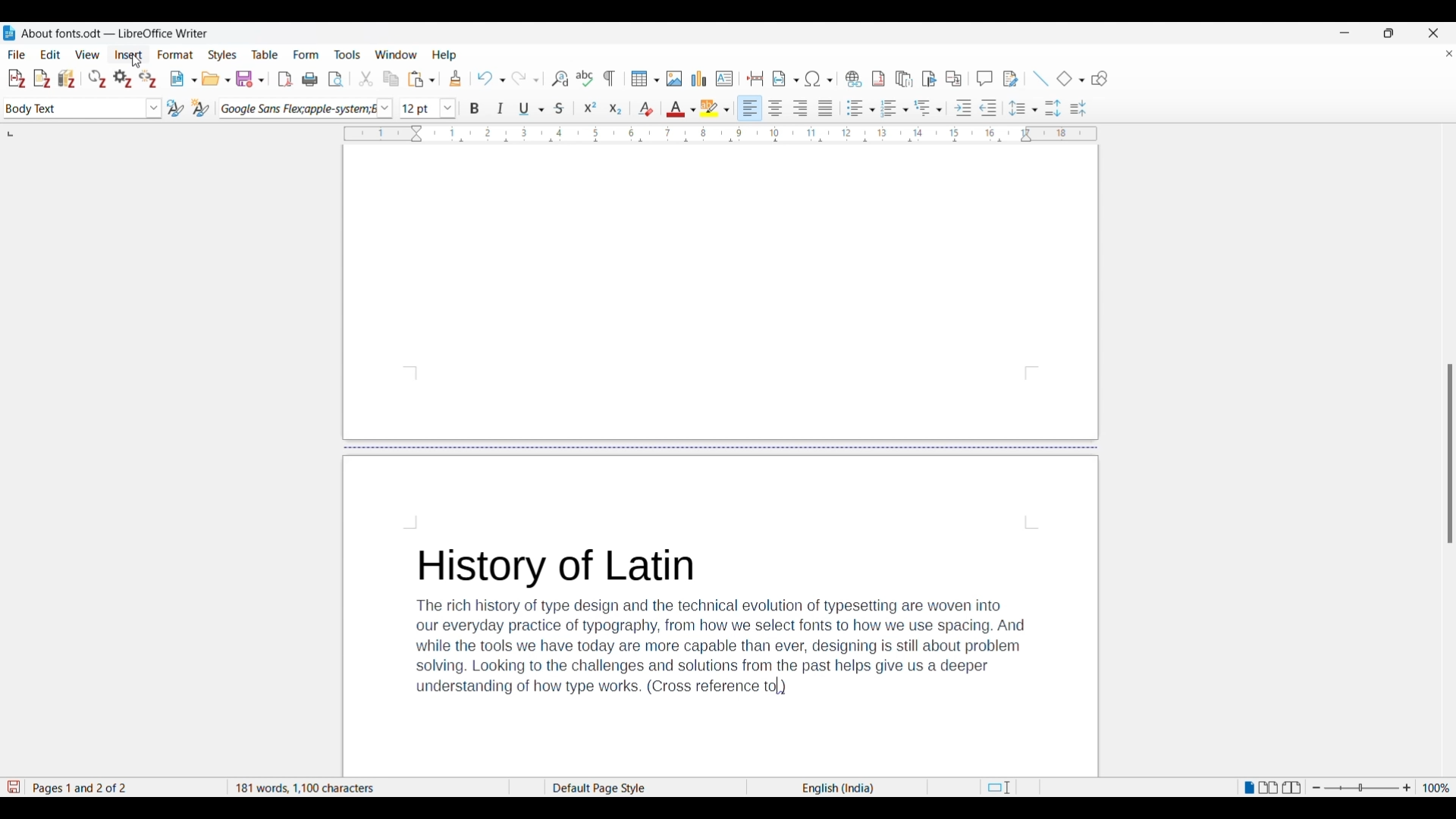 The height and width of the screenshot is (819, 1456). What do you see at coordinates (147, 80) in the screenshot?
I see `Unlink citations` at bounding box center [147, 80].